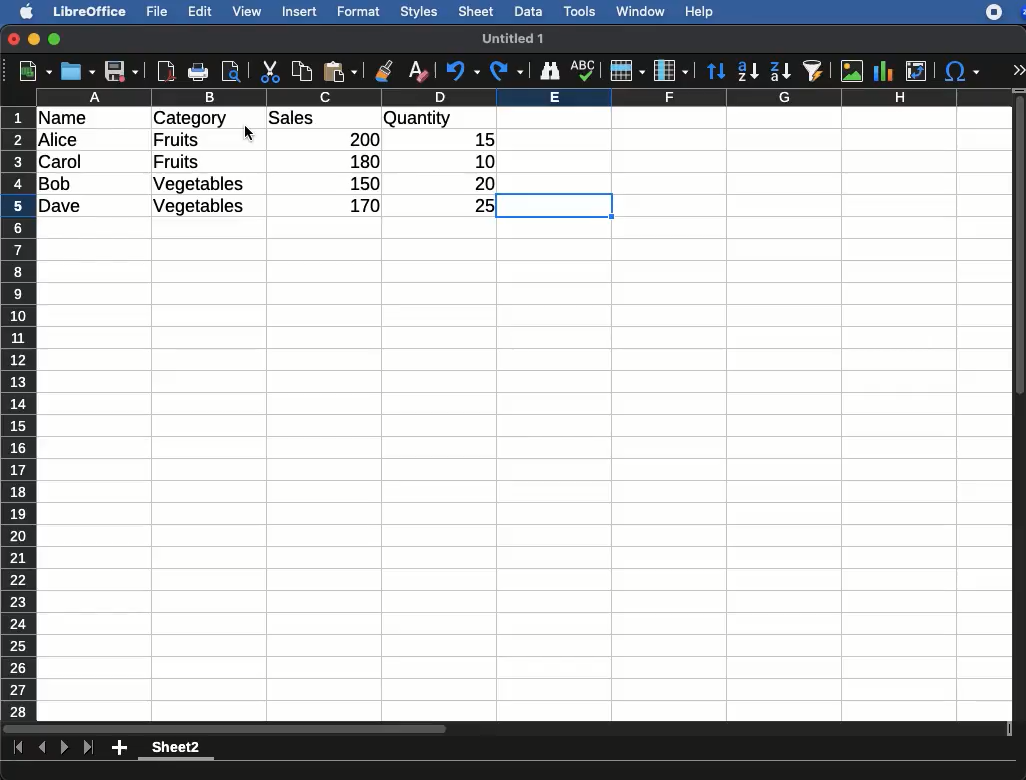 This screenshot has width=1026, height=780. Describe the element at coordinates (176, 750) in the screenshot. I see `sheet 2` at that location.